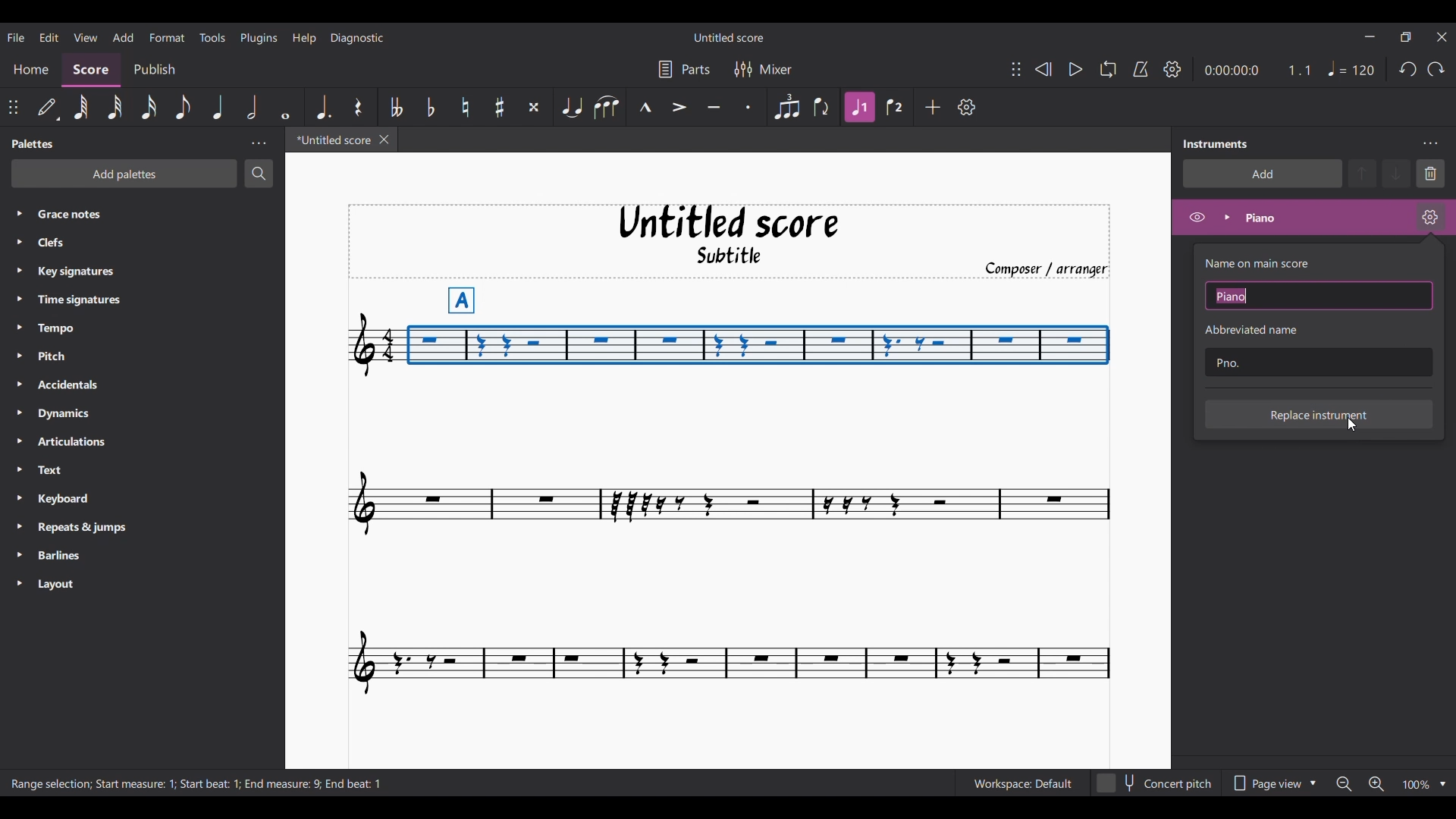  What do you see at coordinates (12, 106) in the screenshot?
I see `Change position of toolbar attached` at bounding box center [12, 106].